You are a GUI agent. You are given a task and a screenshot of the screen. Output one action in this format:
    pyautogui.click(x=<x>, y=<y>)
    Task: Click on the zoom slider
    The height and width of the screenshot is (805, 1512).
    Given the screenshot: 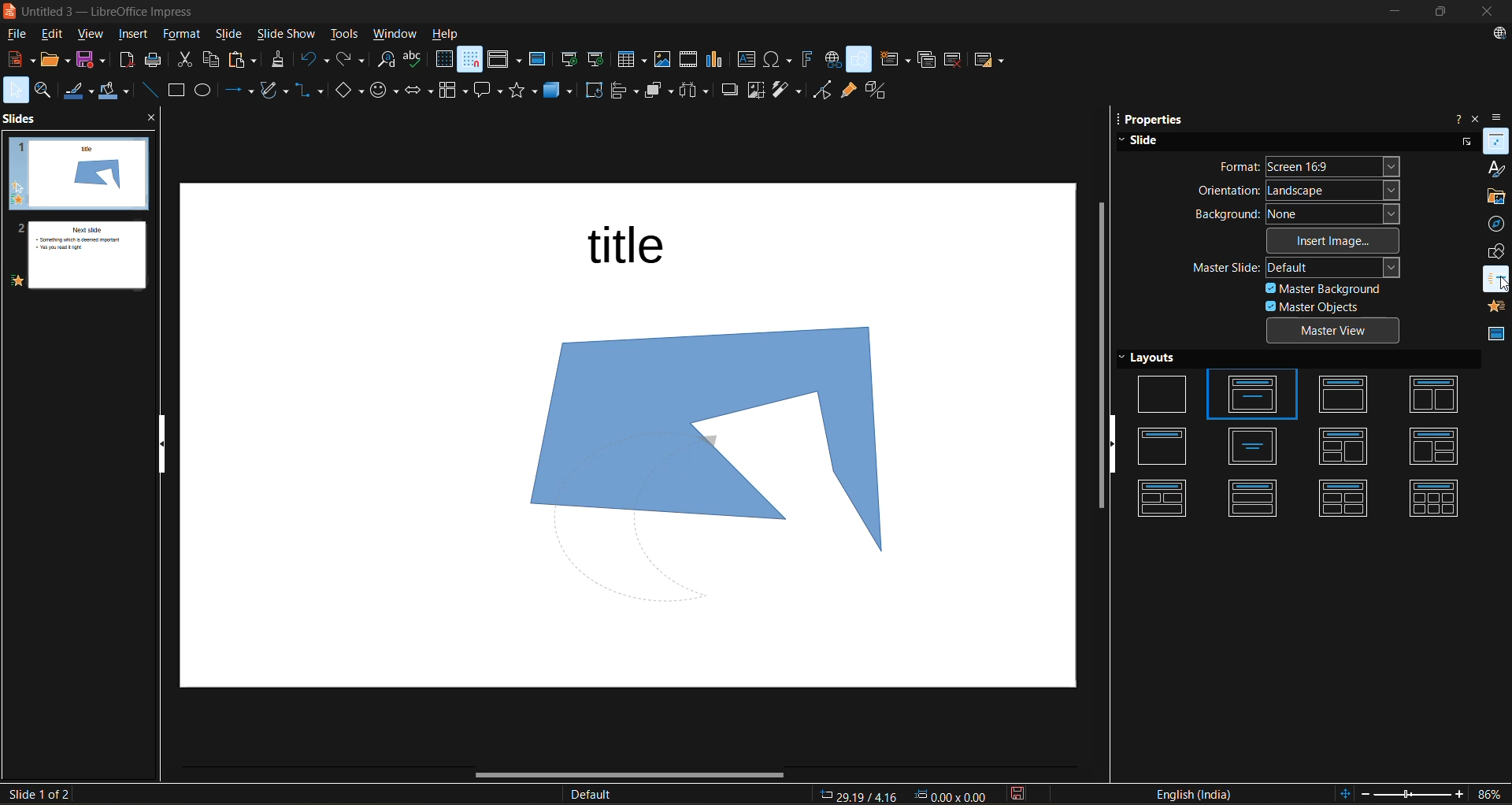 What is the action you would take?
    pyautogui.click(x=1414, y=796)
    